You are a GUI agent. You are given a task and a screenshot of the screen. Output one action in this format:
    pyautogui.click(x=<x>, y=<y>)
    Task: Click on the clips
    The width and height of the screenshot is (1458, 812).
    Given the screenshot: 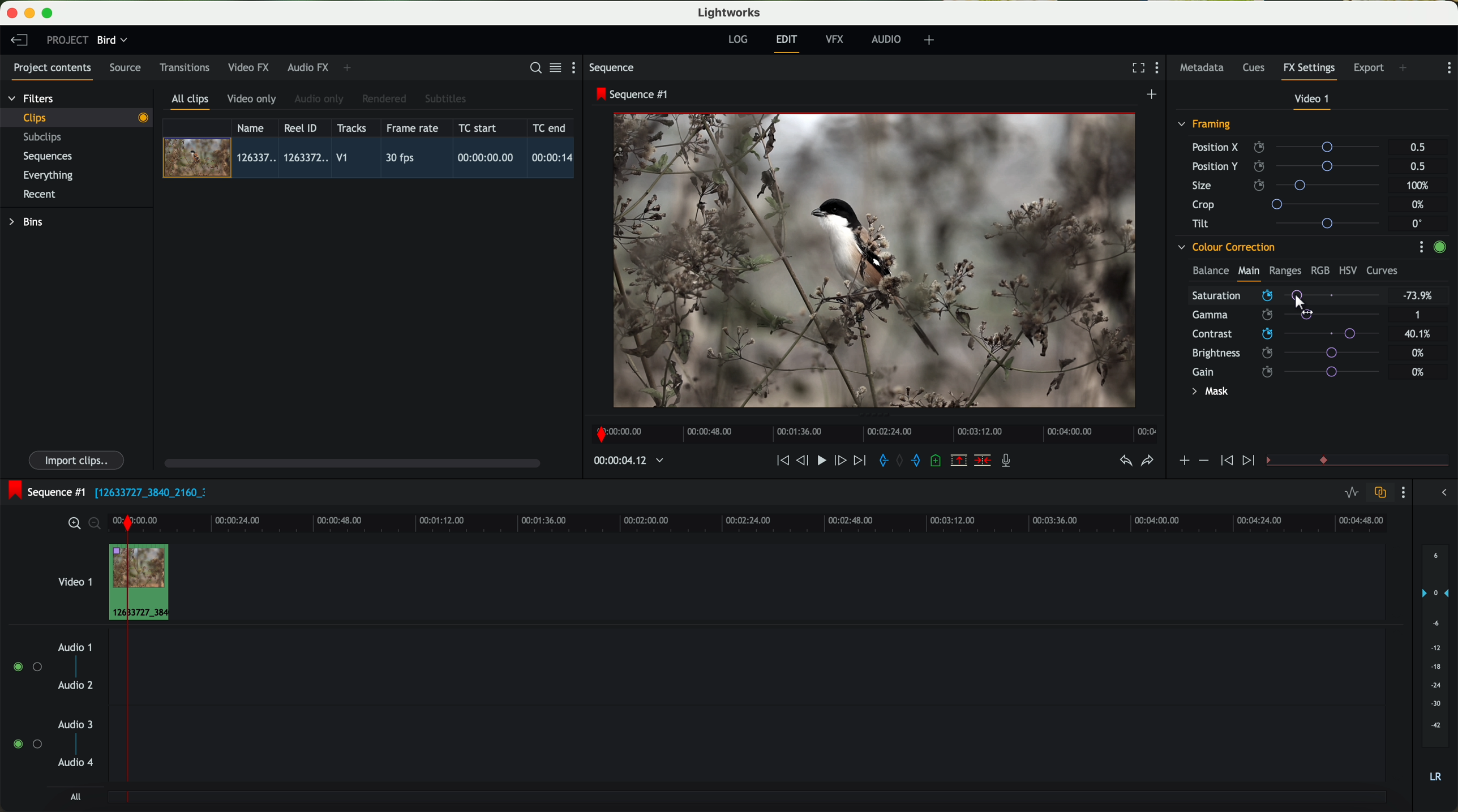 What is the action you would take?
    pyautogui.click(x=77, y=117)
    